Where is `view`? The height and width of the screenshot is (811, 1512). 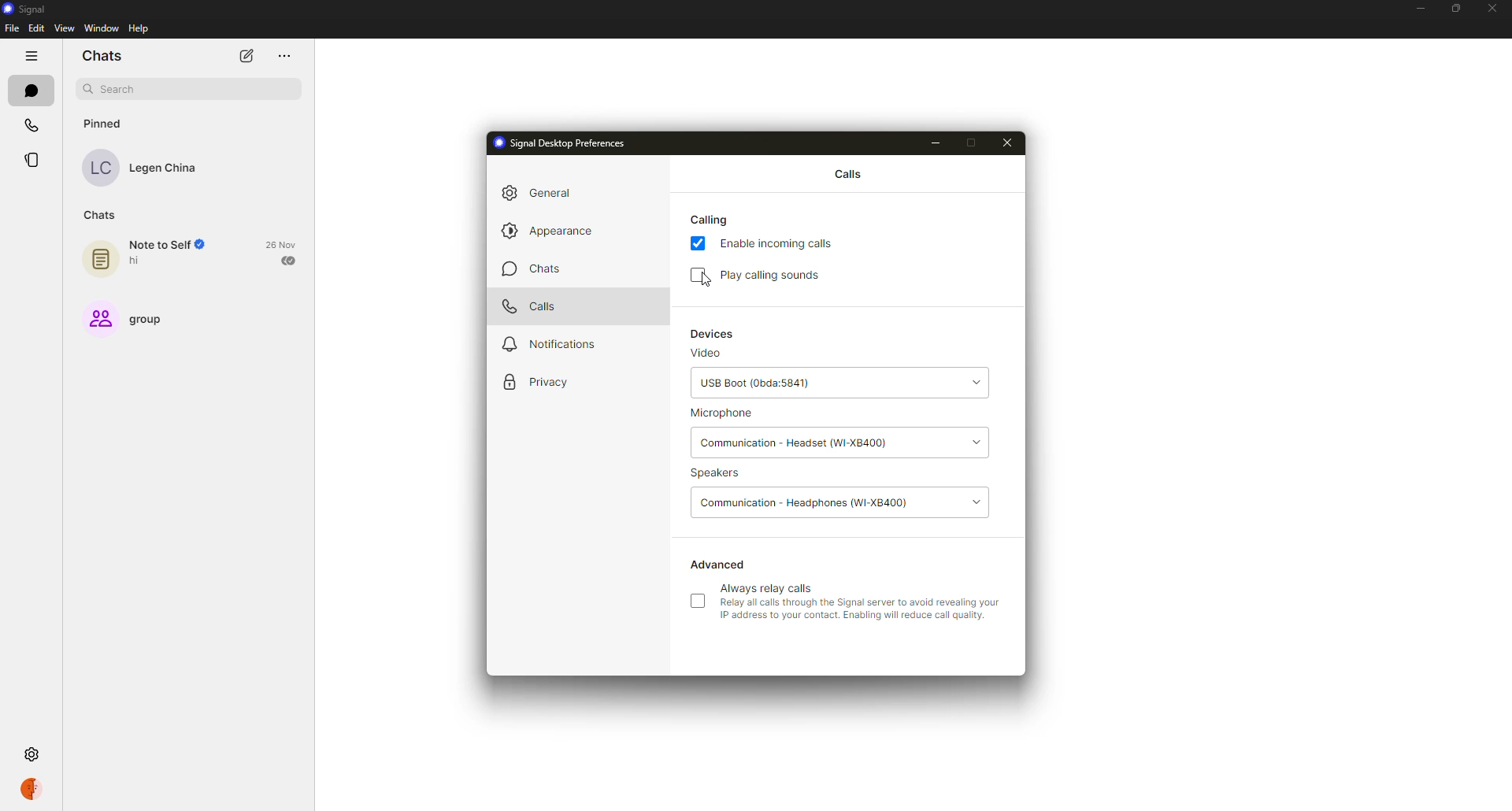 view is located at coordinates (69, 29).